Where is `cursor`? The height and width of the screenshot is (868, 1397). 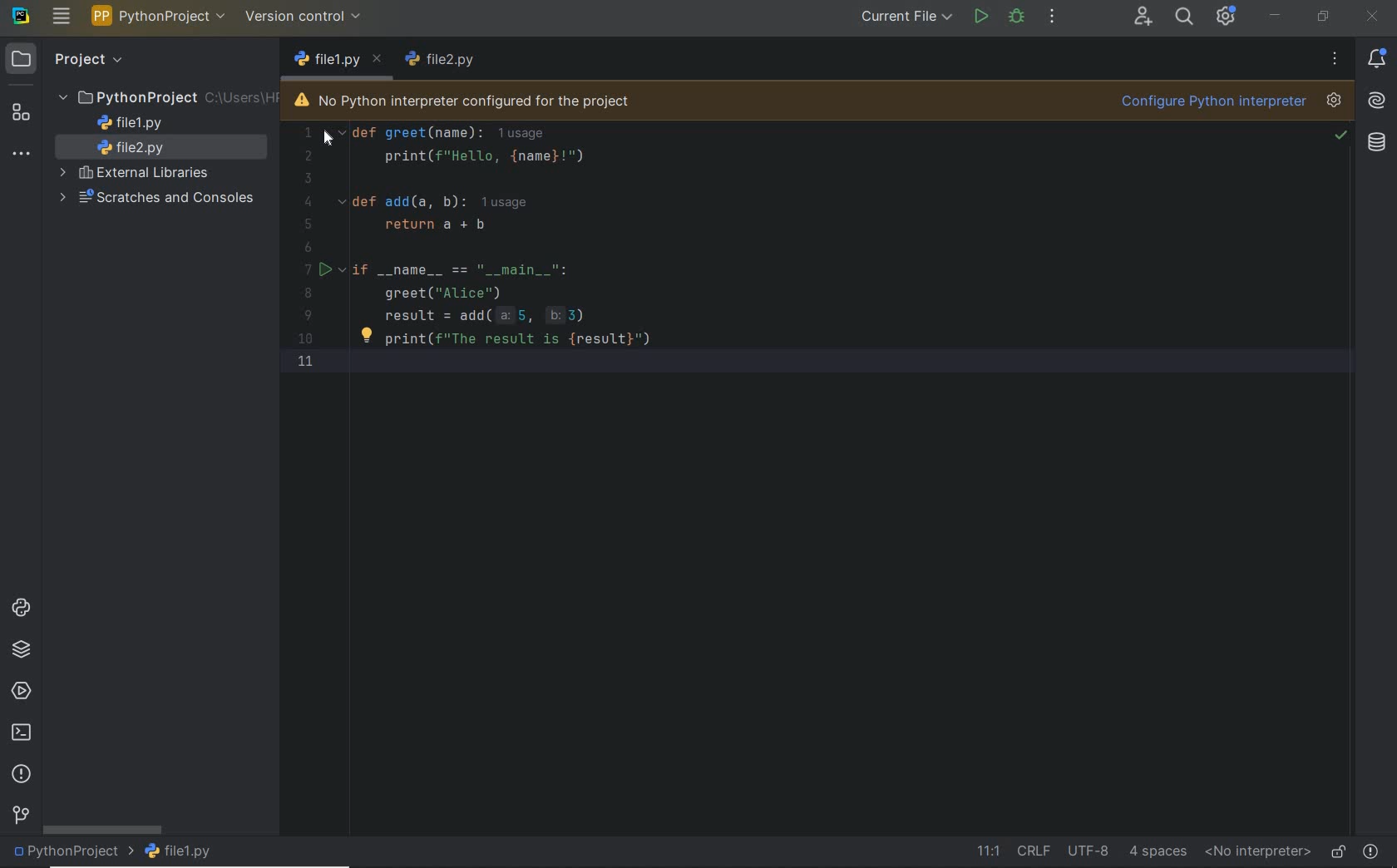 cursor is located at coordinates (320, 139).